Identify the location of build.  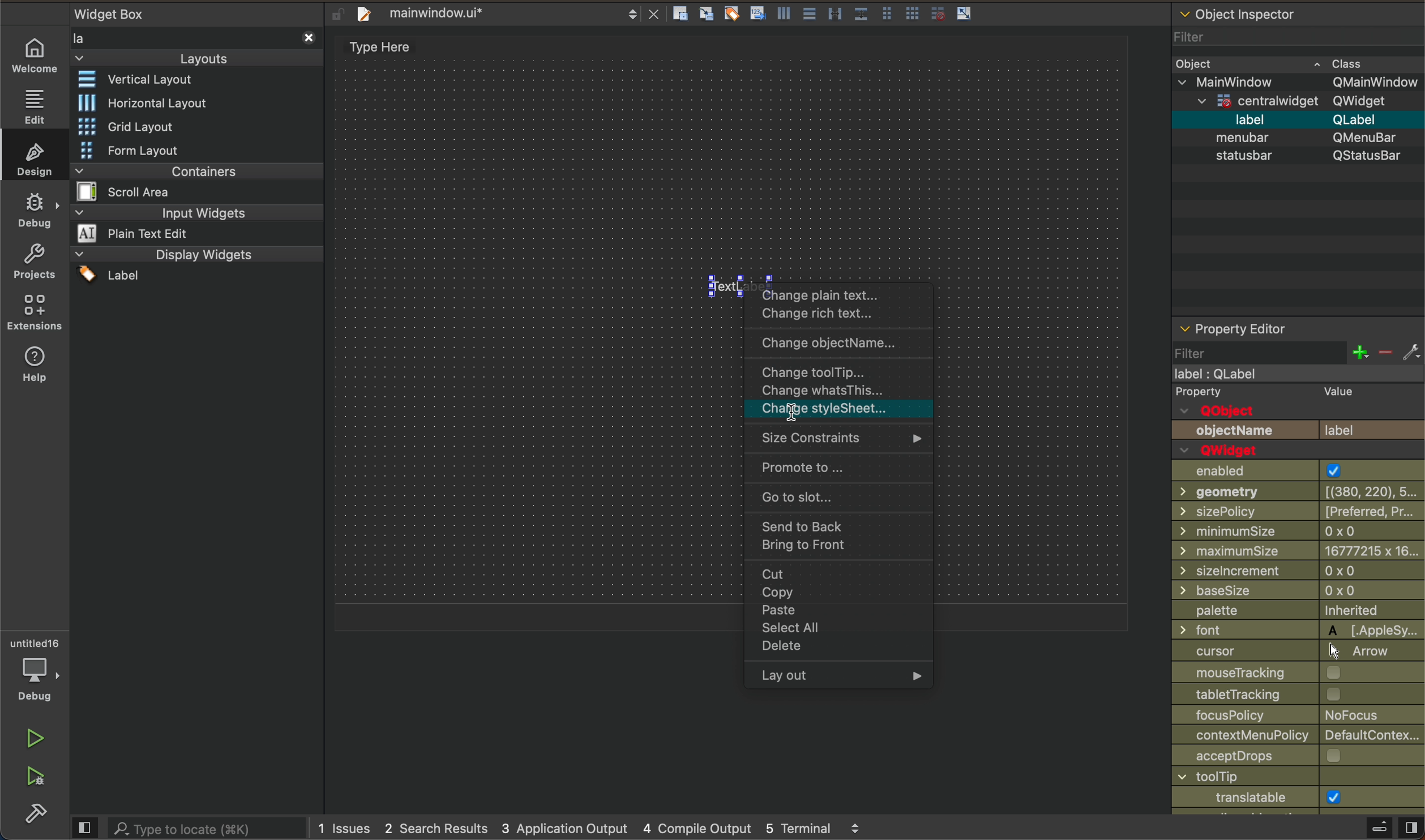
(37, 816).